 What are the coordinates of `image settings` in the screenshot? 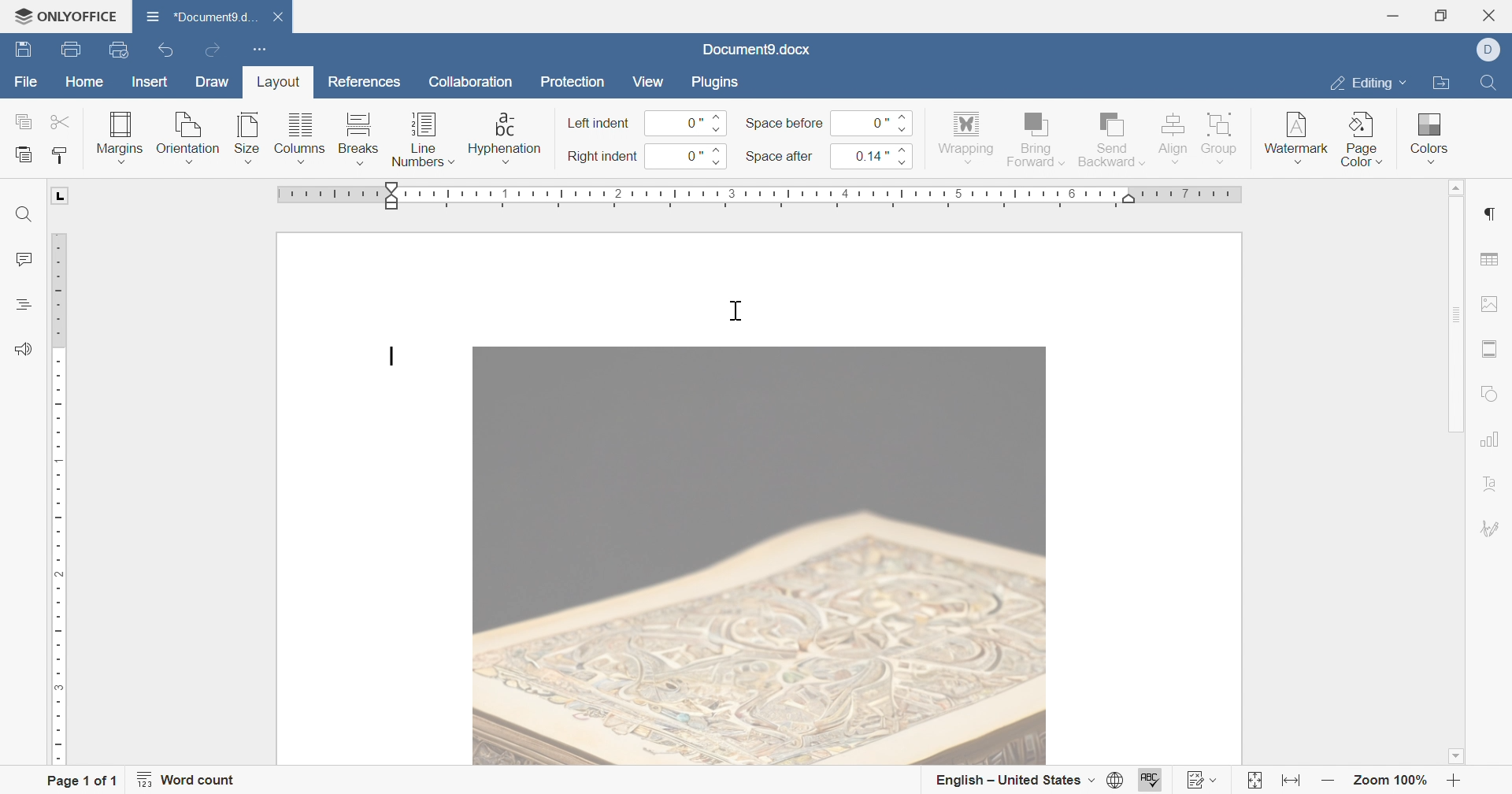 It's located at (1490, 303).